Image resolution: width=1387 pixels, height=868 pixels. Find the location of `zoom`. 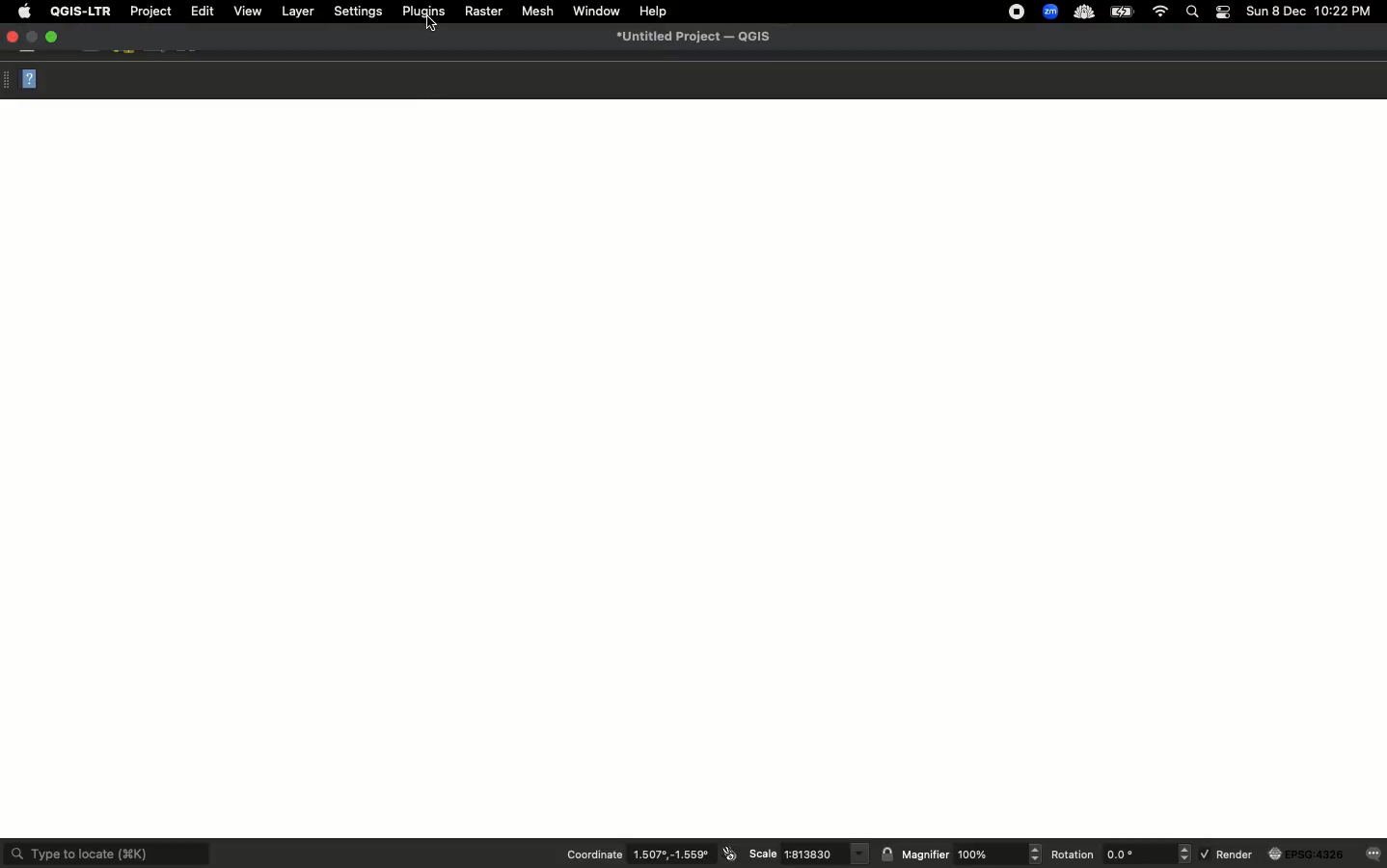

zoom is located at coordinates (1050, 11).